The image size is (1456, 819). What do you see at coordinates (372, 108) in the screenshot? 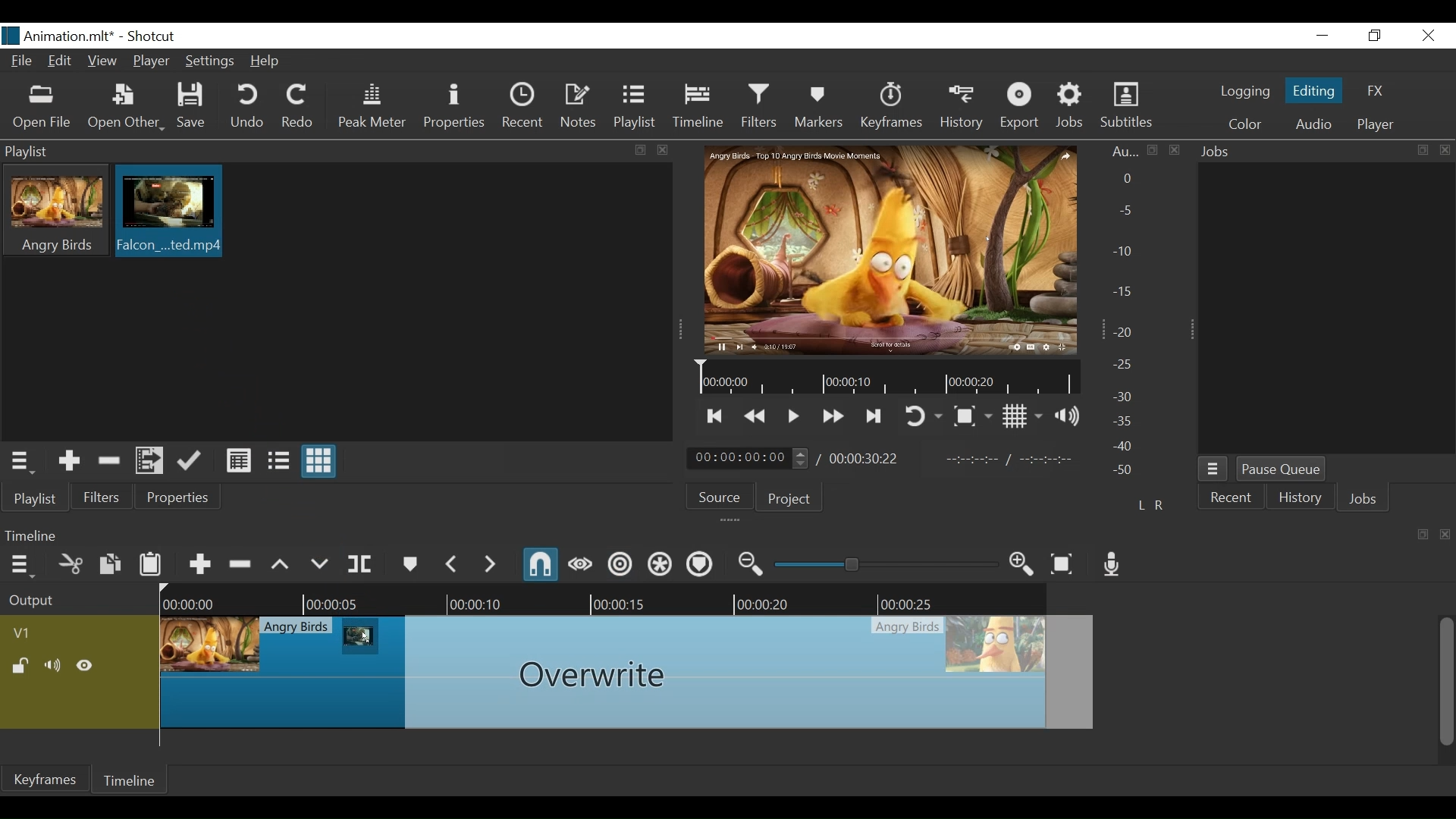
I see `Peak Meter` at bounding box center [372, 108].